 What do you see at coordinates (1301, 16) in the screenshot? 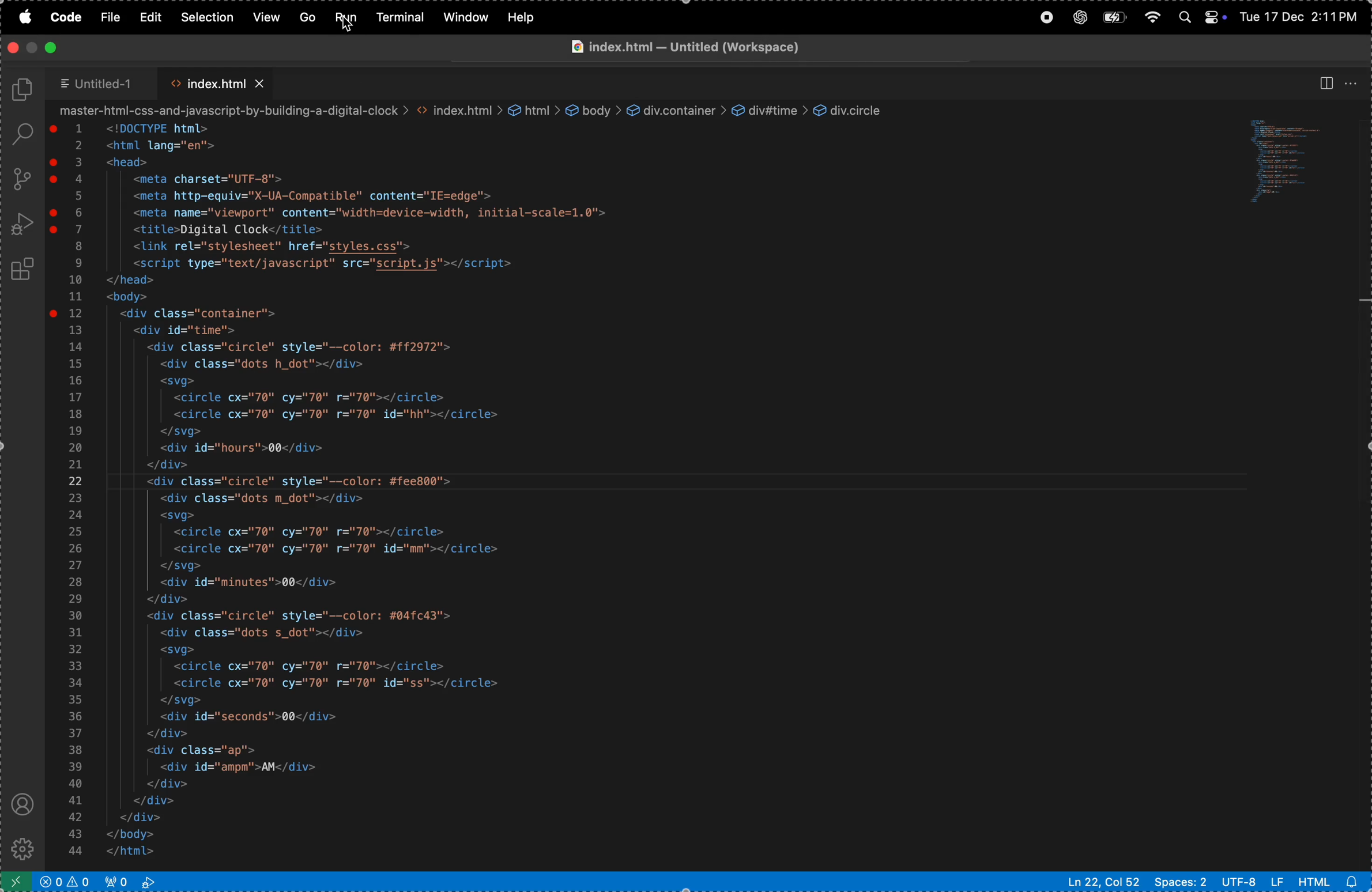
I see `date and time` at bounding box center [1301, 16].